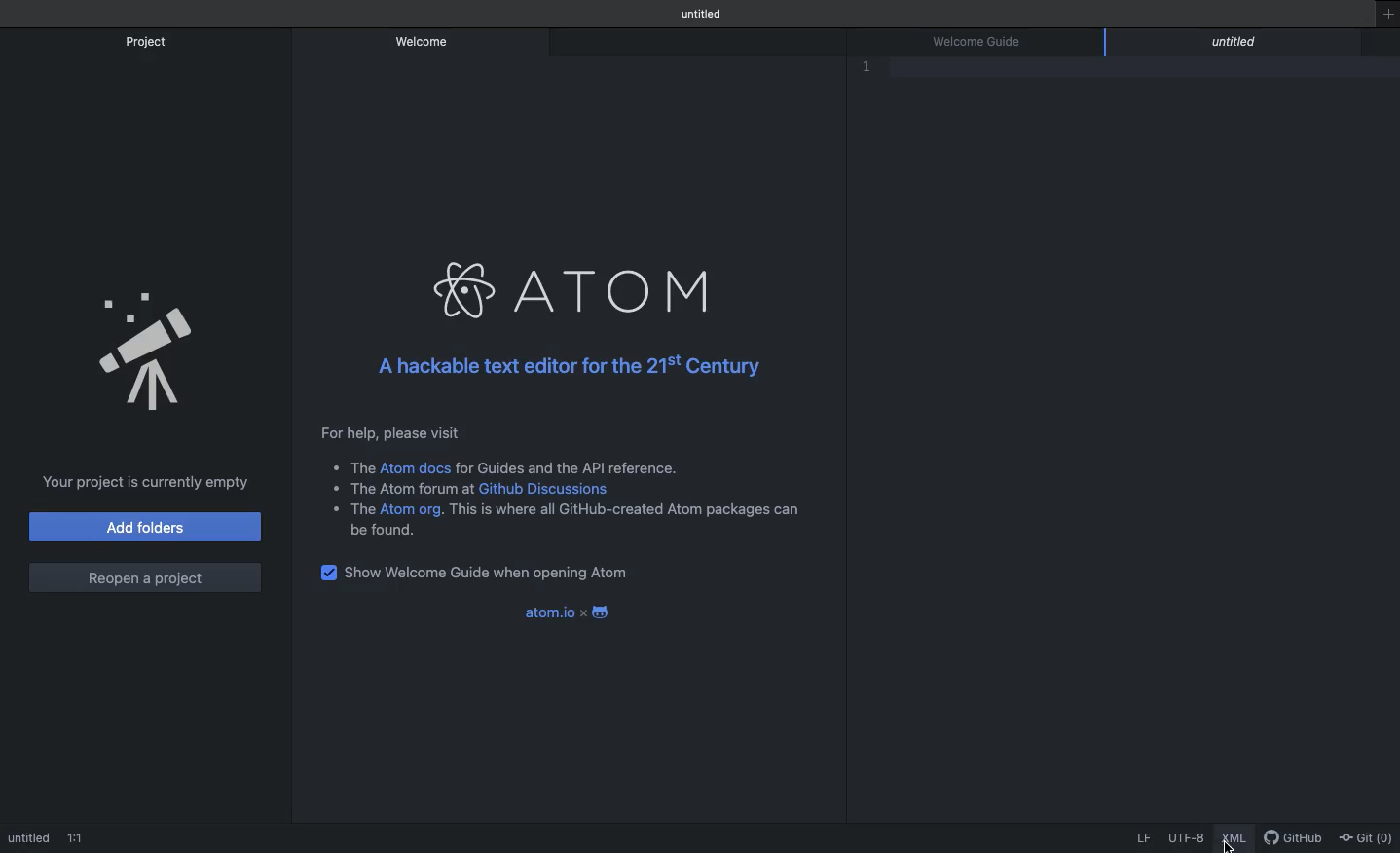 This screenshot has width=1400, height=853. I want to click on Line numbering, so click(890, 74).